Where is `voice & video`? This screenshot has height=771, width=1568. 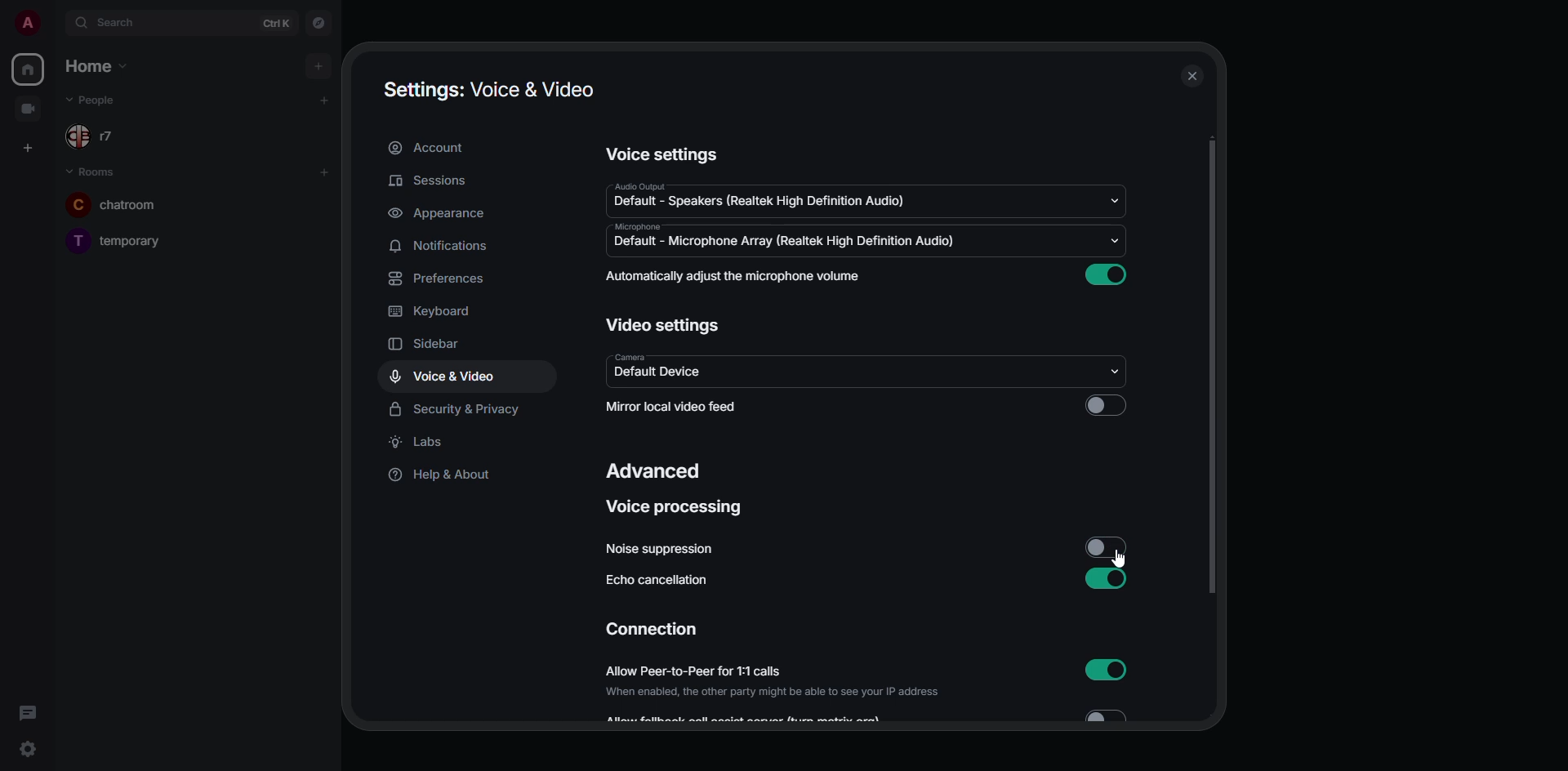 voice & video is located at coordinates (443, 377).